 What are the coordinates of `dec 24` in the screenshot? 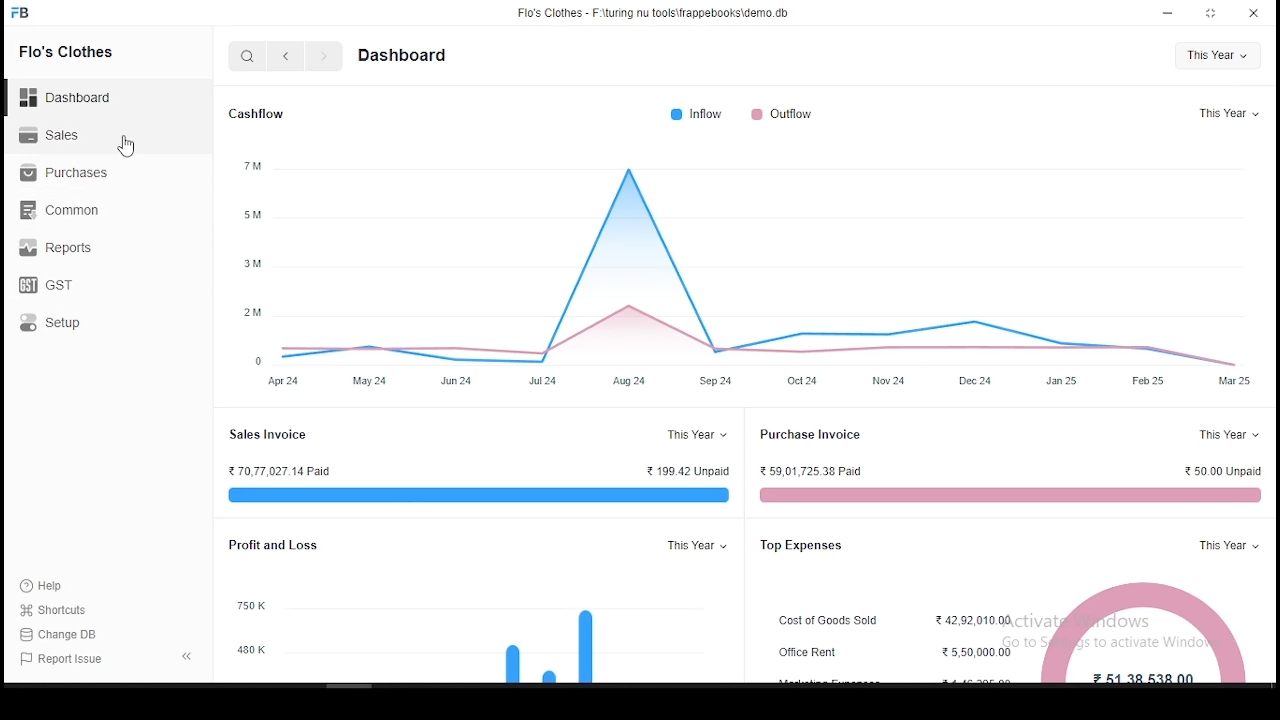 It's located at (979, 377).